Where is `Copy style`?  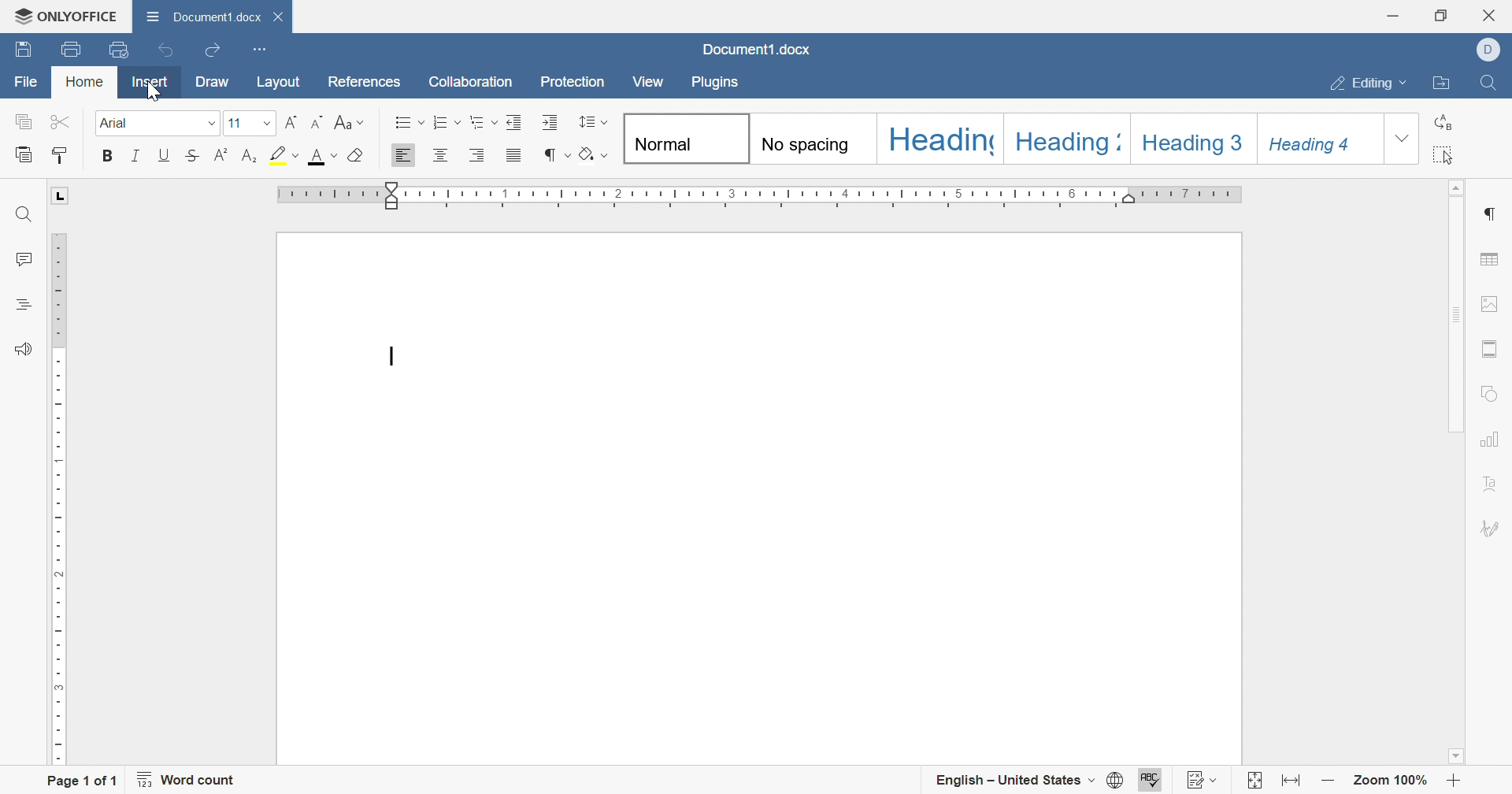 Copy style is located at coordinates (62, 156).